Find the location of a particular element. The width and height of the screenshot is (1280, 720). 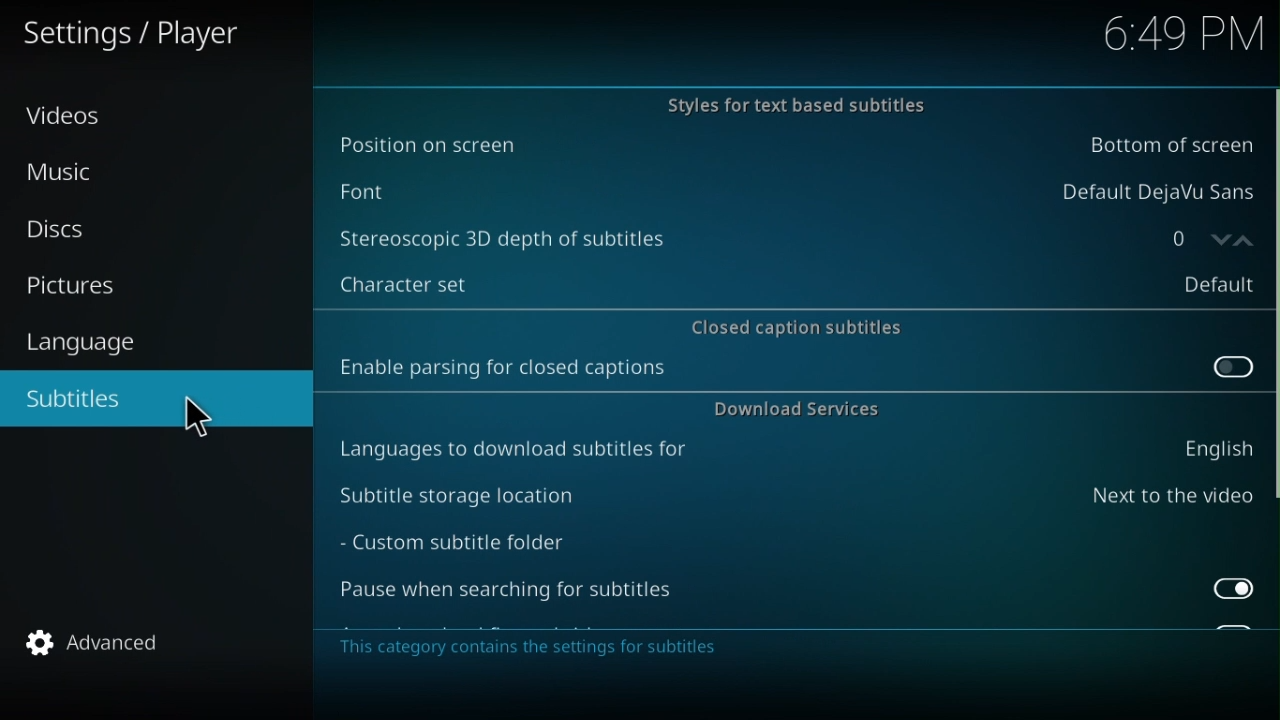

Settings/player is located at coordinates (154, 35).